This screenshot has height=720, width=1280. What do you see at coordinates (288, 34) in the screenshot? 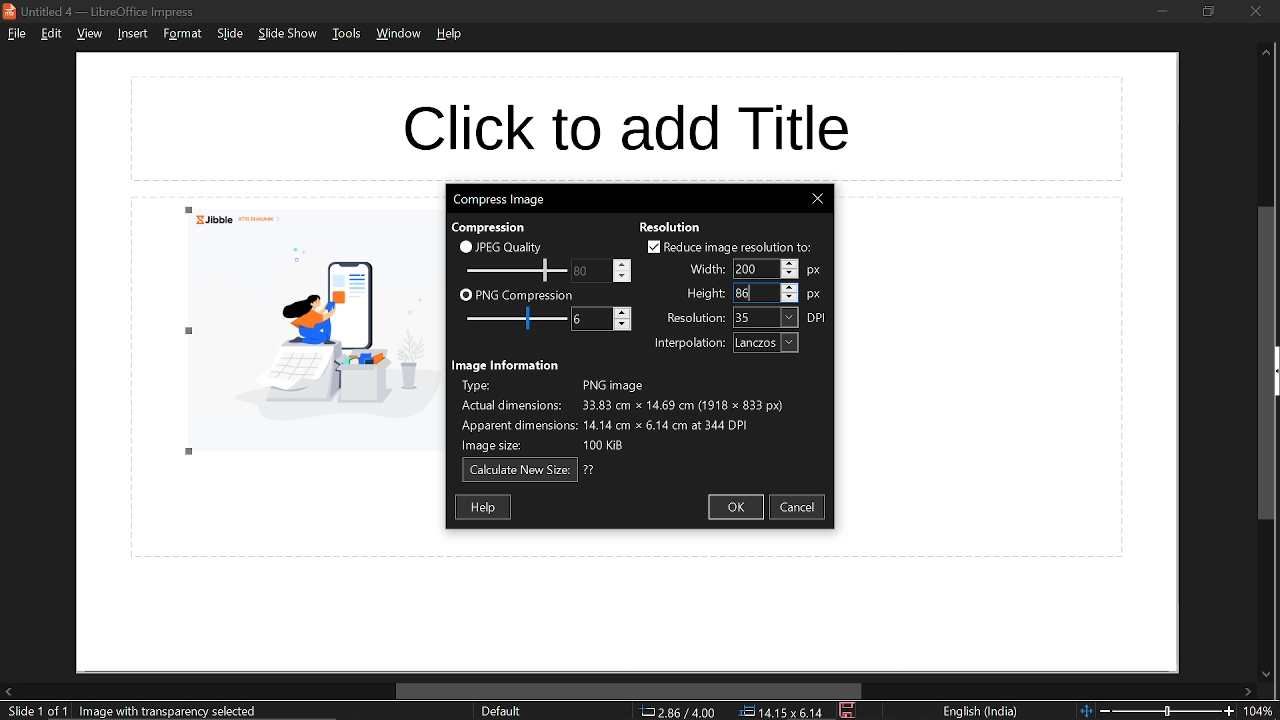
I see `slide show` at bounding box center [288, 34].